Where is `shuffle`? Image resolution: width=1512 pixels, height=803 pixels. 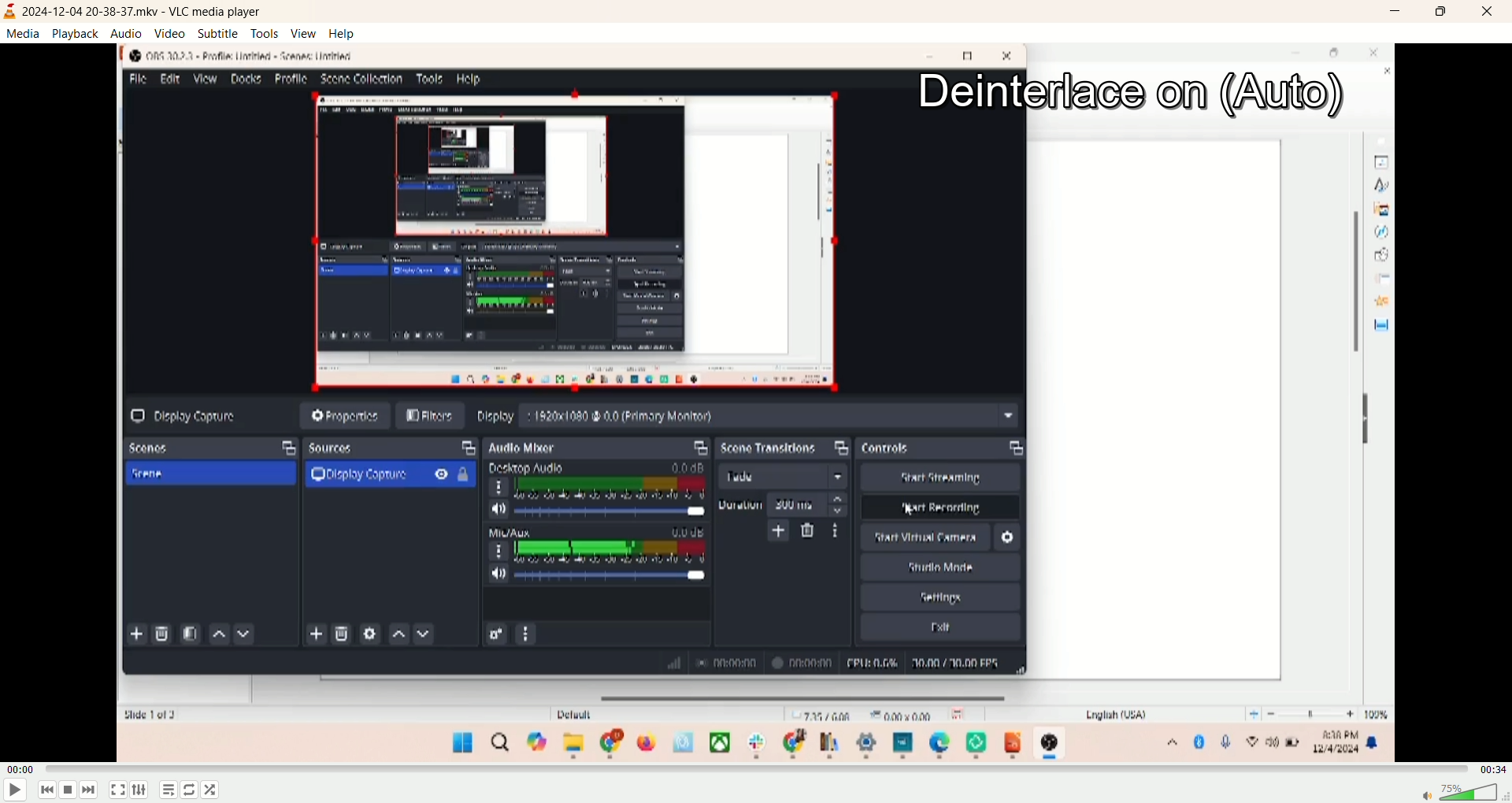 shuffle is located at coordinates (191, 790).